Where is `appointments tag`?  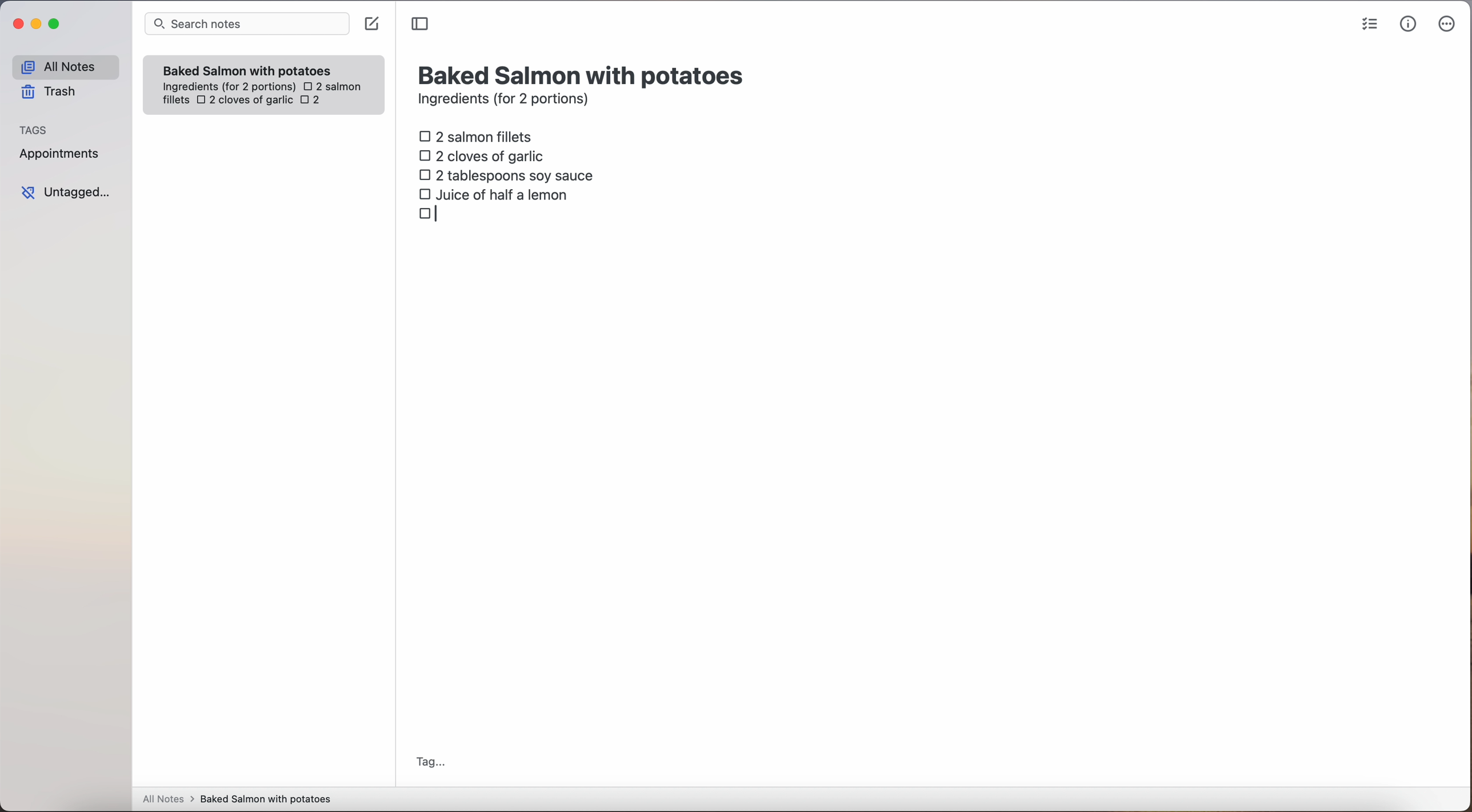
appointments tag is located at coordinates (61, 151).